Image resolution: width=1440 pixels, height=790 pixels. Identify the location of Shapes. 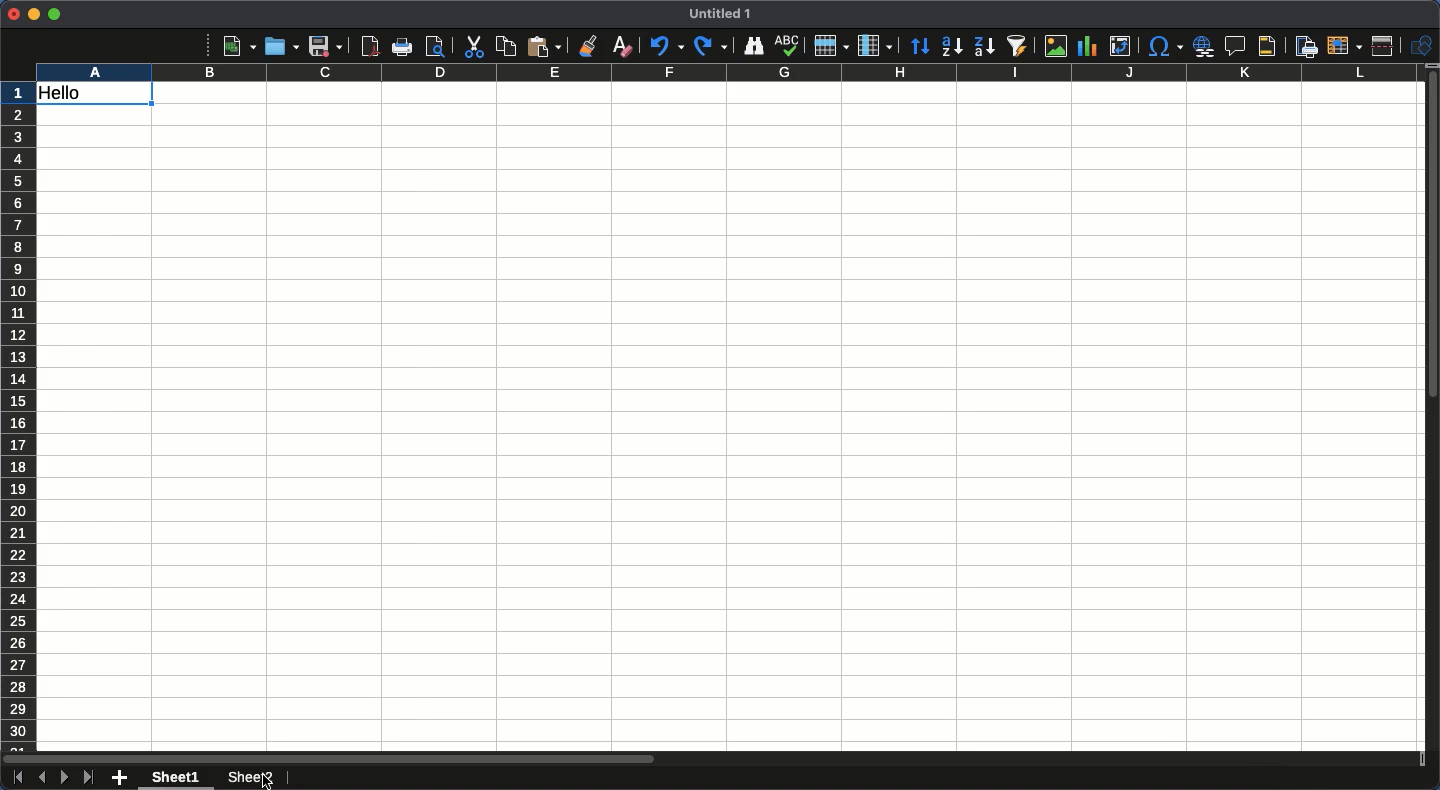
(1422, 46).